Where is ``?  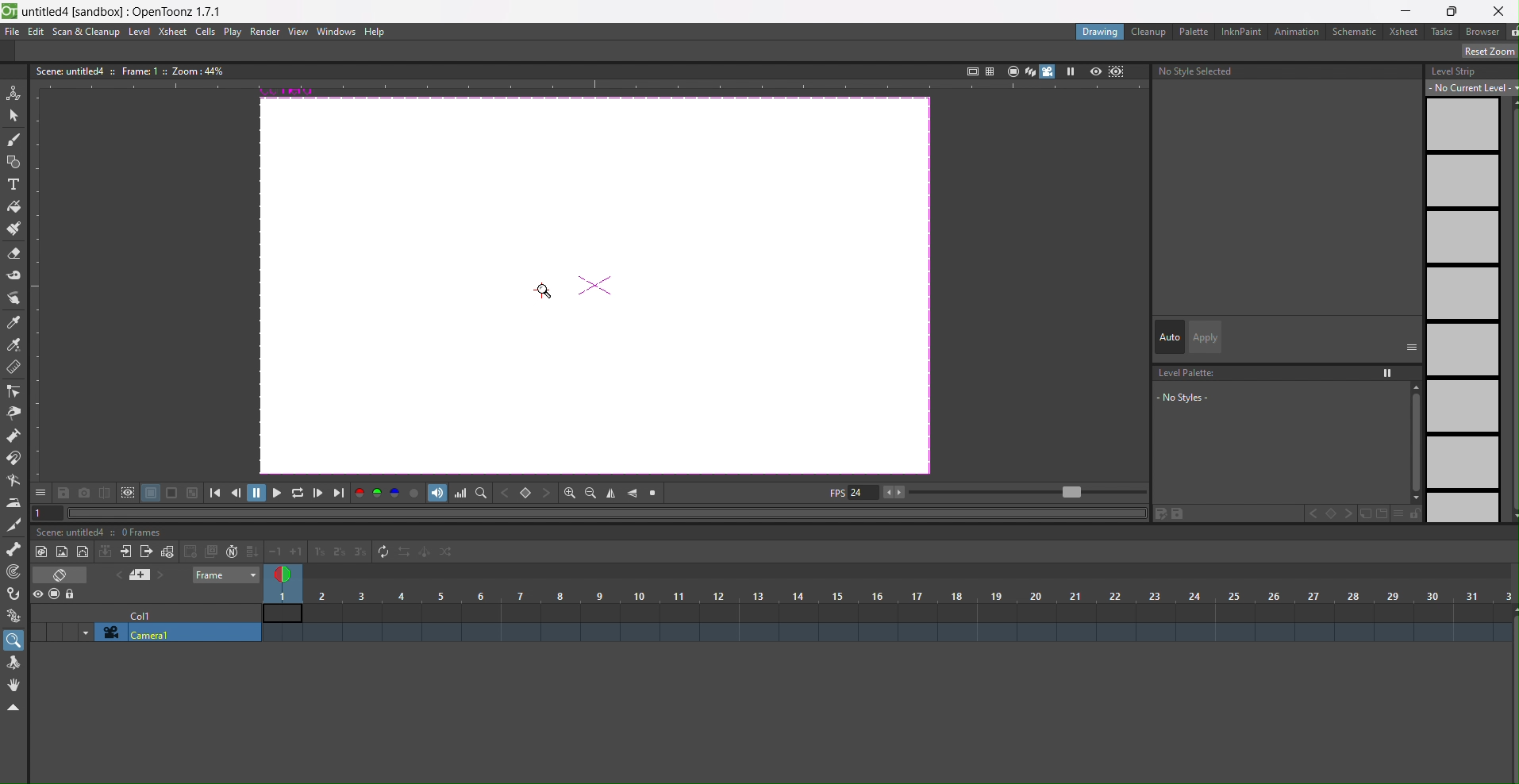
 is located at coordinates (14, 662).